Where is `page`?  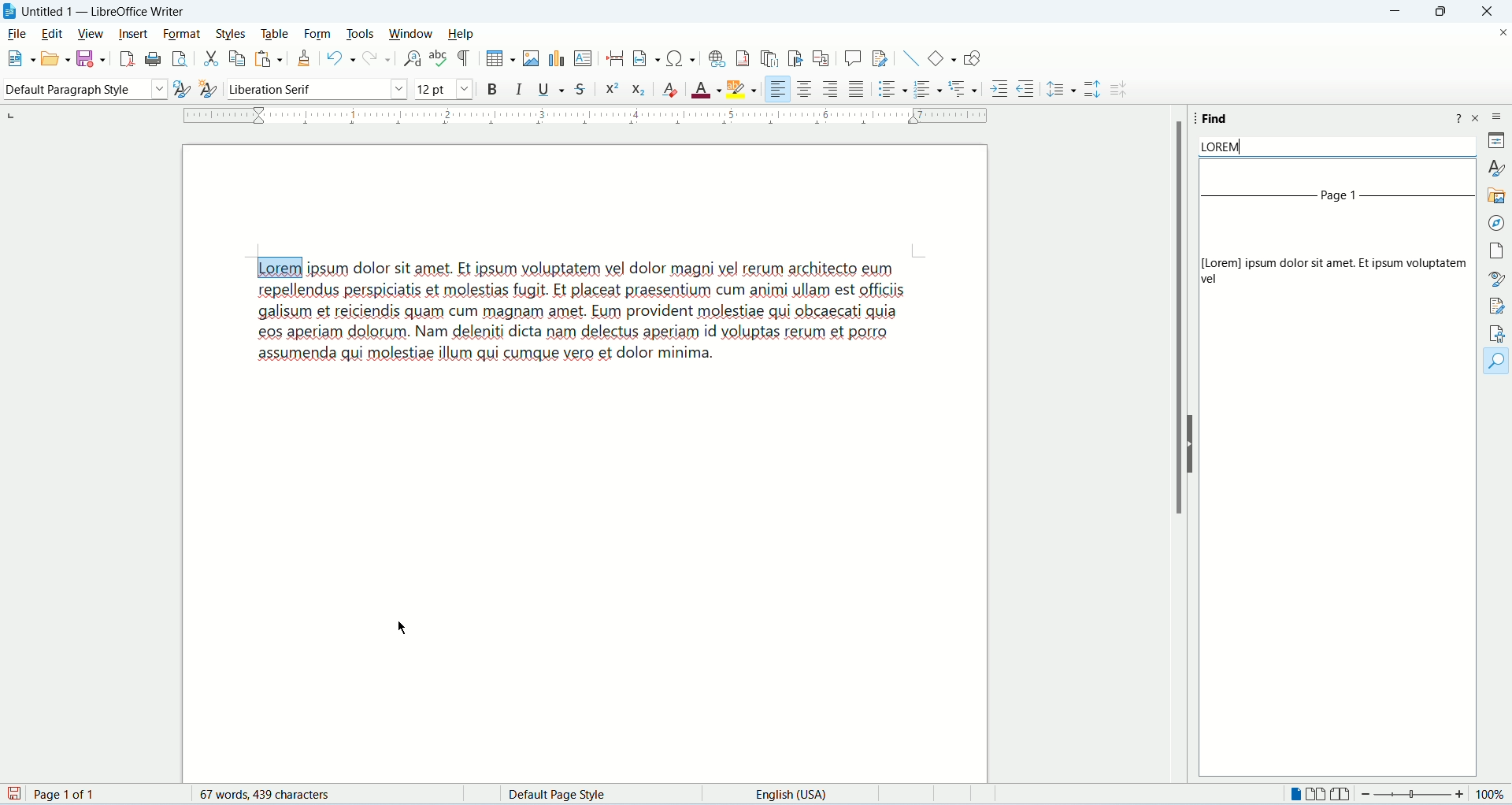
page is located at coordinates (50, 795).